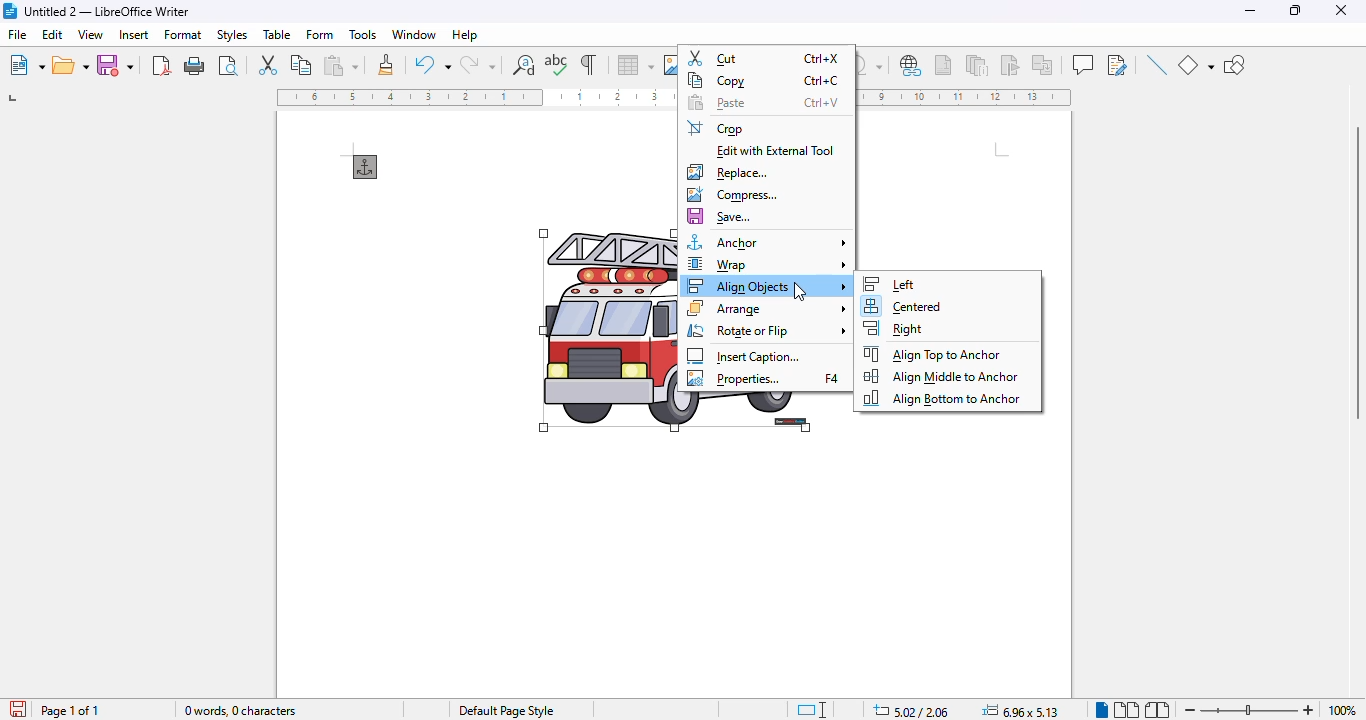 This screenshot has height=720, width=1366. What do you see at coordinates (90, 34) in the screenshot?
I see `view` at bounding box center [90, 34].